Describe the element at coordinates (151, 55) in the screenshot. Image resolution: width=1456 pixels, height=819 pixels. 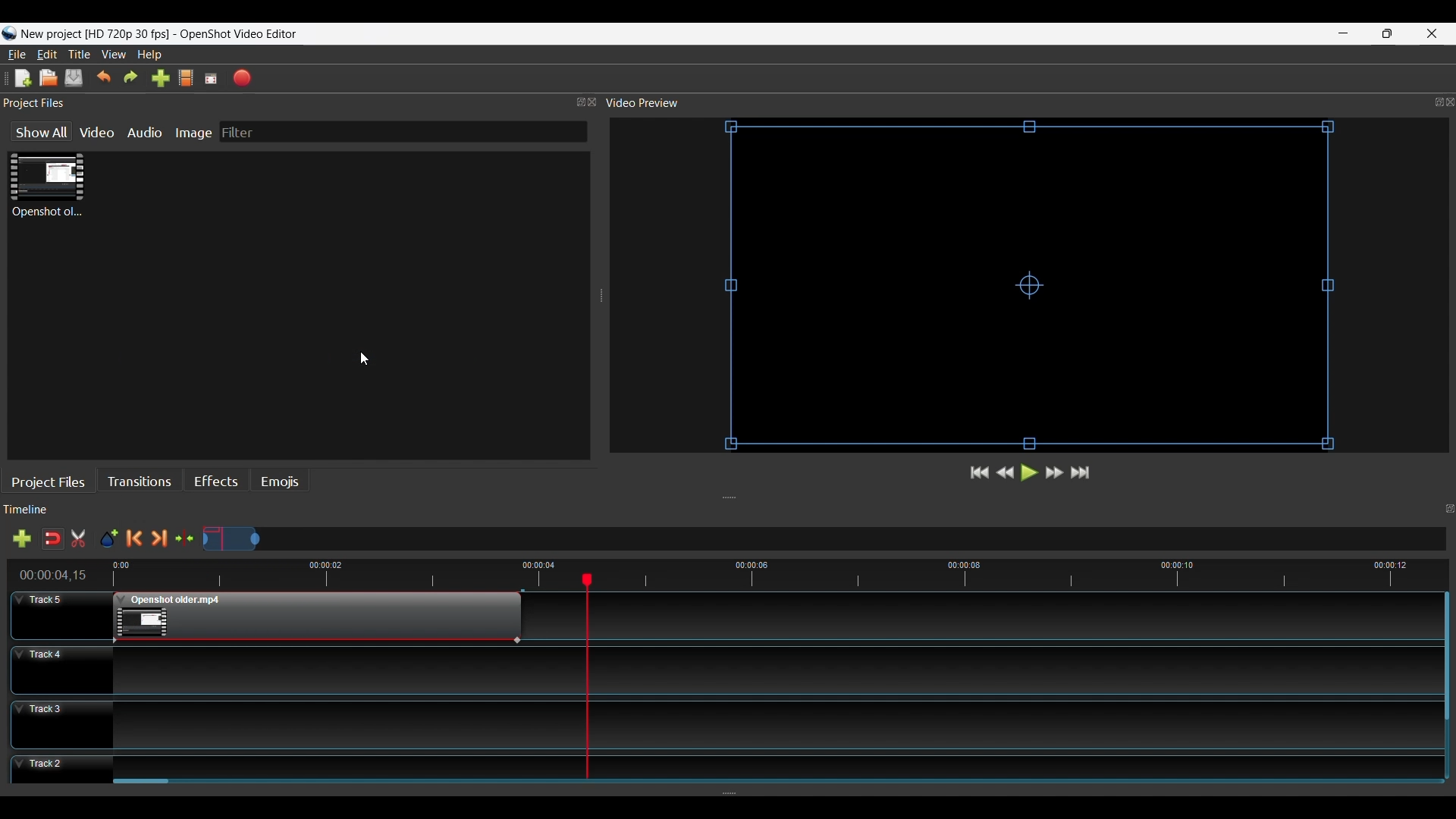
I see `Help` at that location.